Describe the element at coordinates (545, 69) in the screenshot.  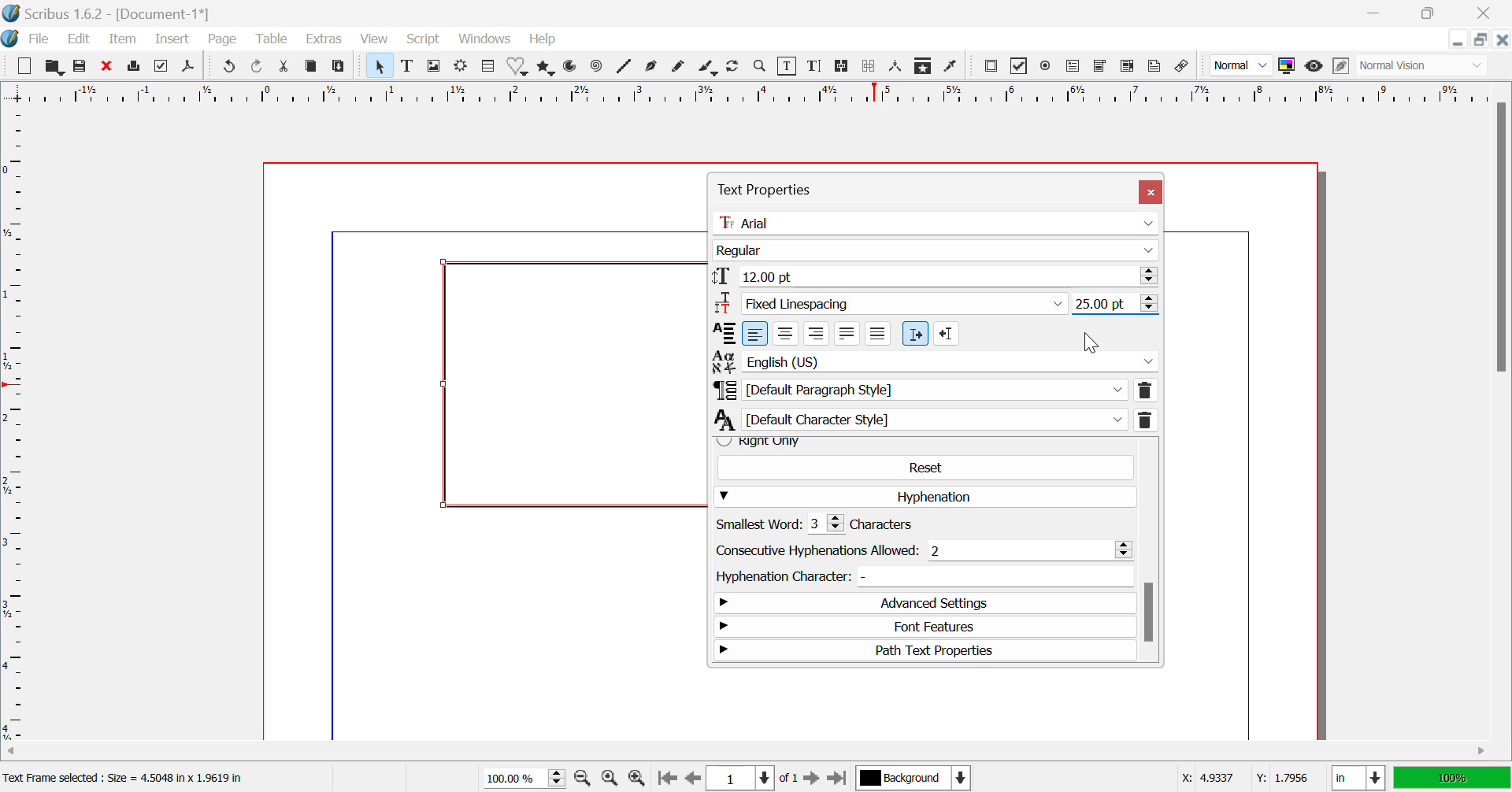
I see `Polygons` at that location.